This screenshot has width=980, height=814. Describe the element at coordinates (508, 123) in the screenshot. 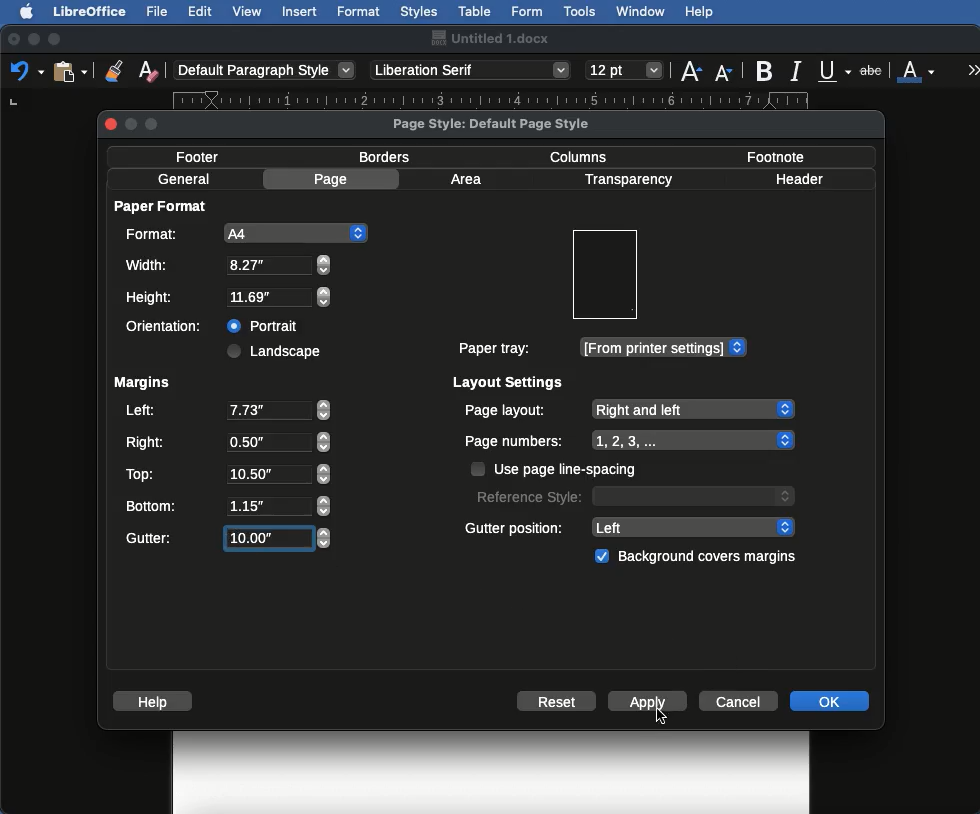

I see `Page style` at that location.